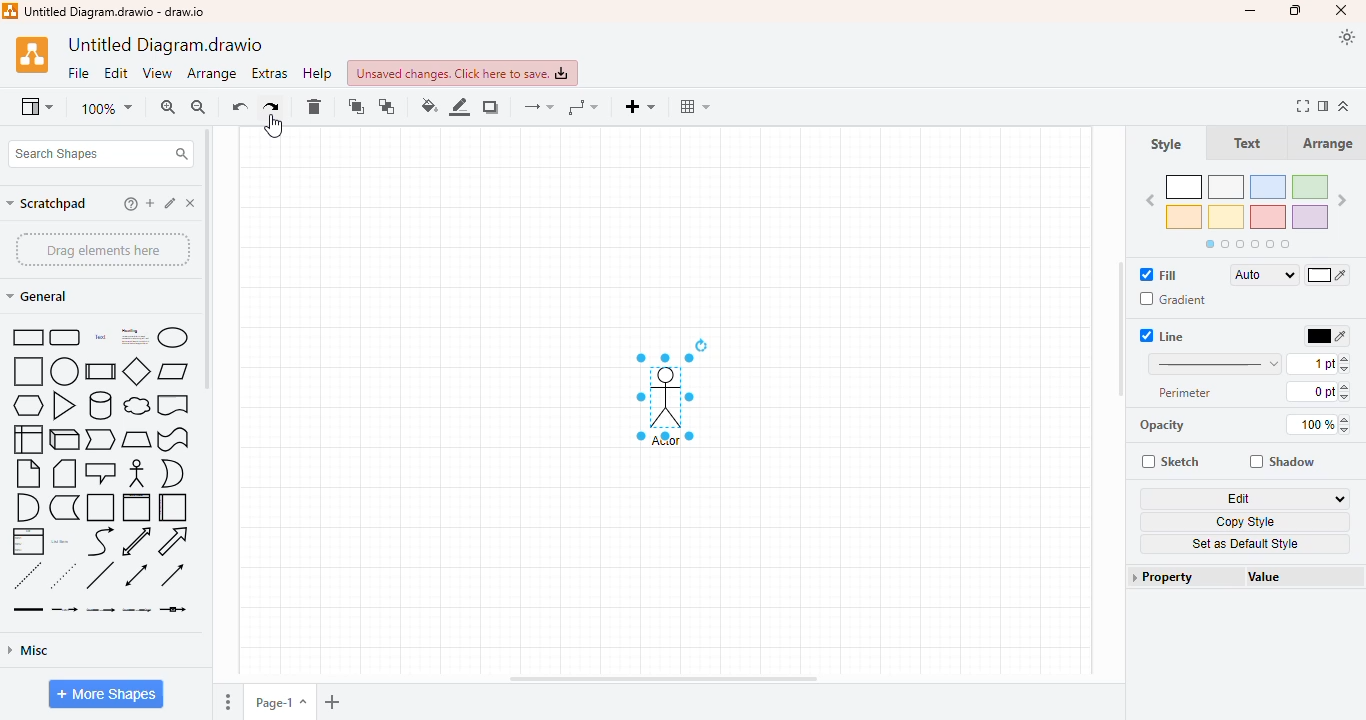 The image size is (1366, 720). I want to click on zoom, so click(107, 108).